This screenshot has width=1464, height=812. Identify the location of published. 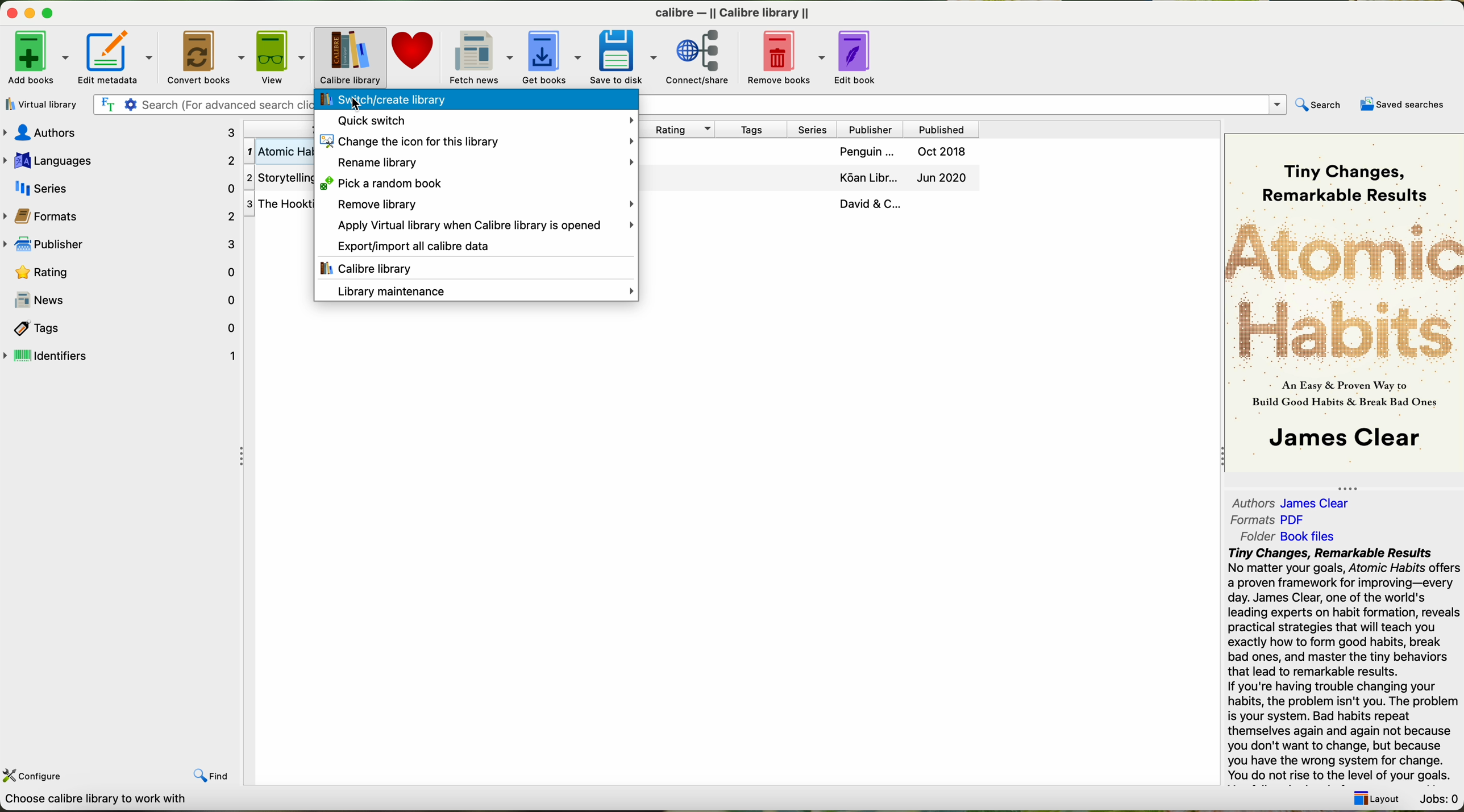
(942, 128).